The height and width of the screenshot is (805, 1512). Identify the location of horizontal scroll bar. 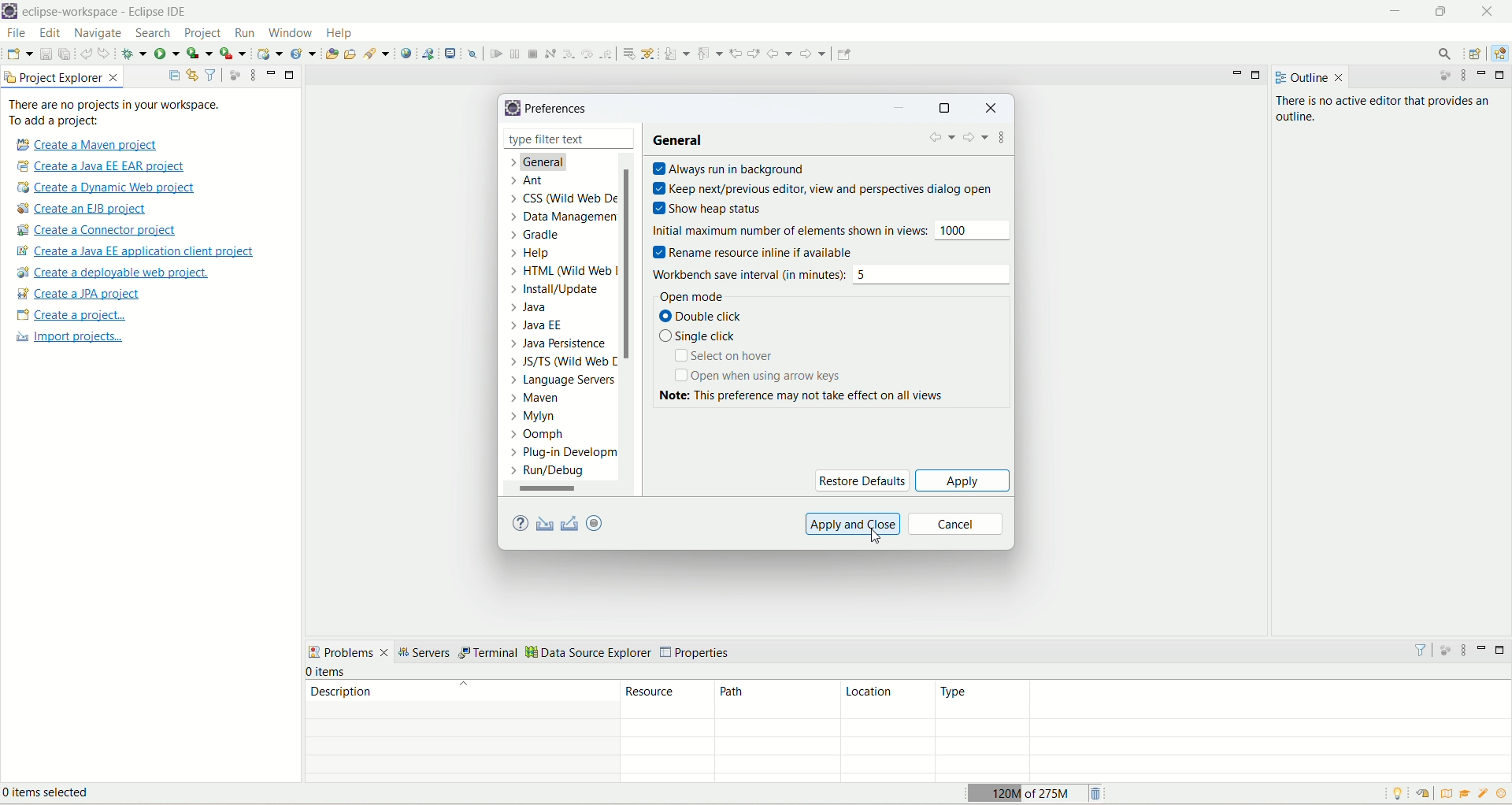
(559, 489).